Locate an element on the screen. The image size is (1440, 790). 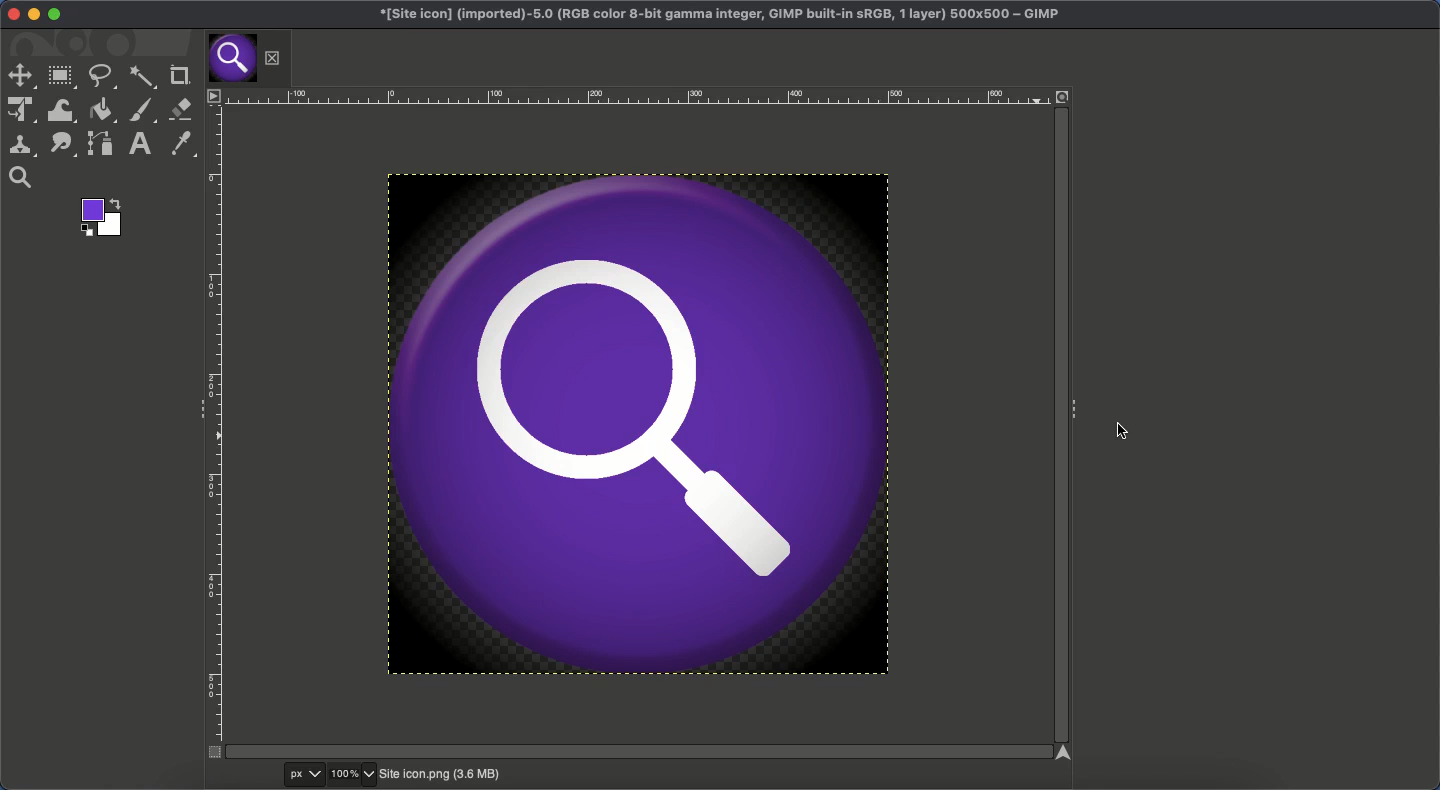
Color is located at coordinates (99, 217).